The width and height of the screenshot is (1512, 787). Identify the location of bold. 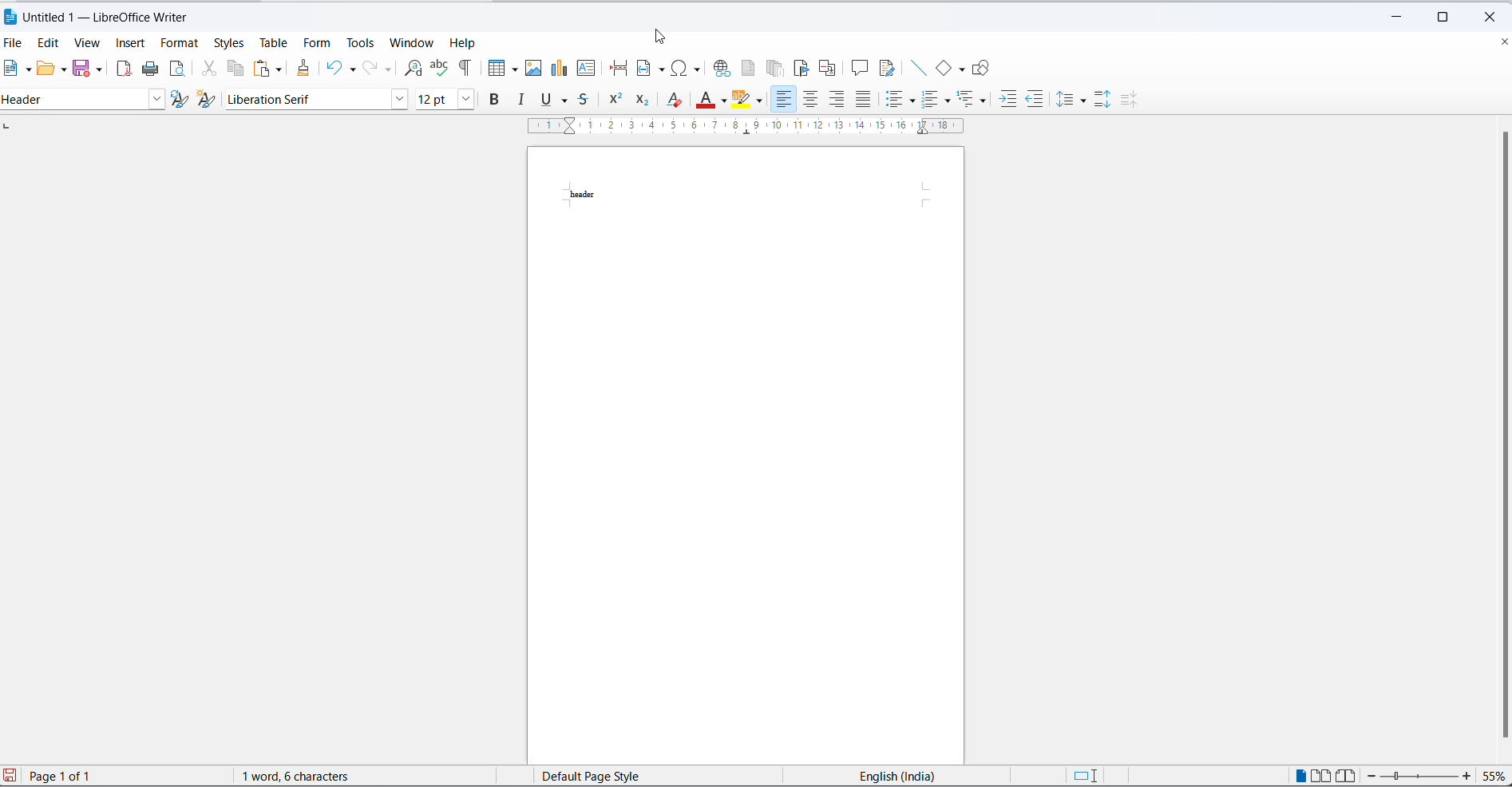
(498, 100).